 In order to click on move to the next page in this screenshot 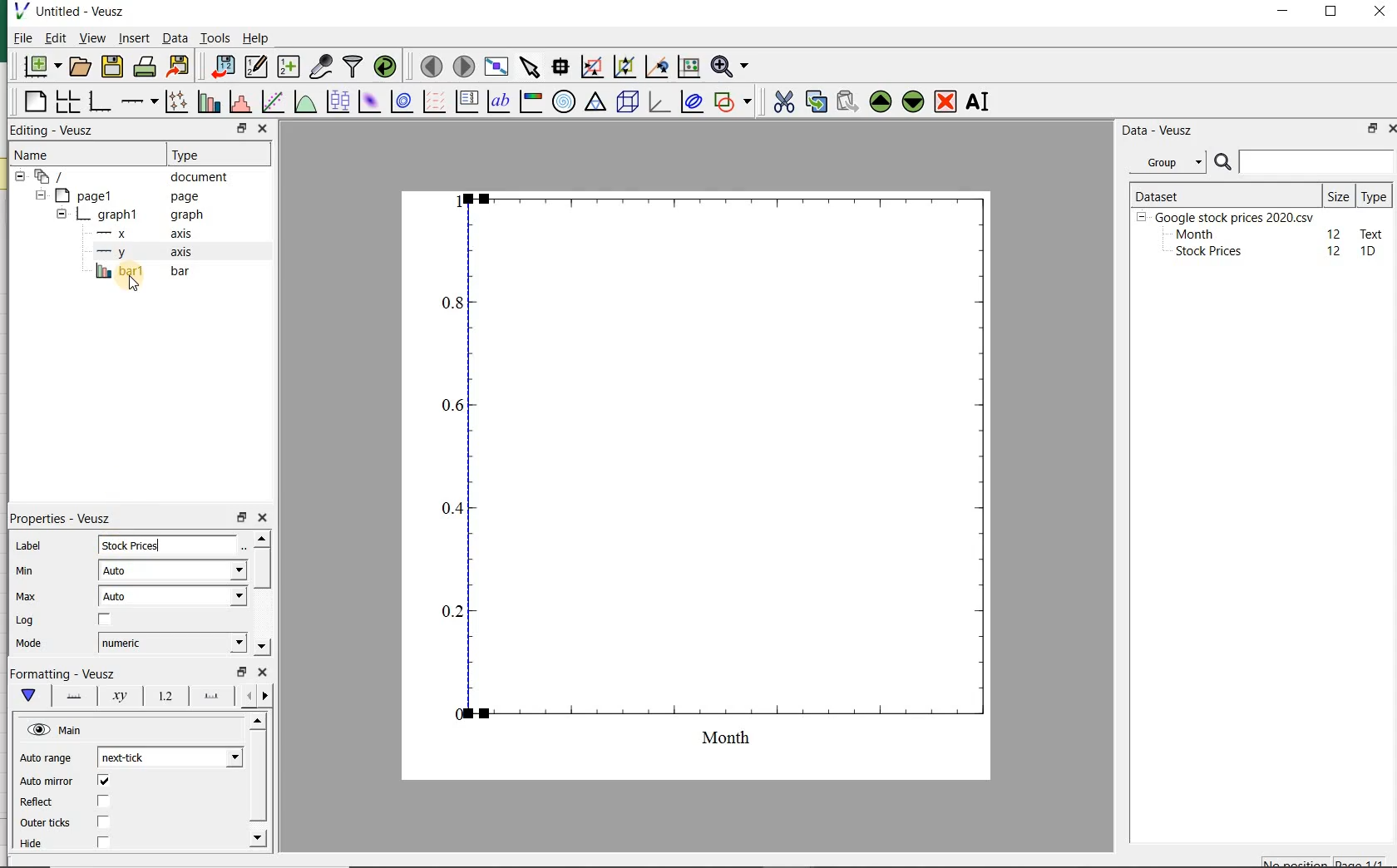, I will do `click(464, 67)`.